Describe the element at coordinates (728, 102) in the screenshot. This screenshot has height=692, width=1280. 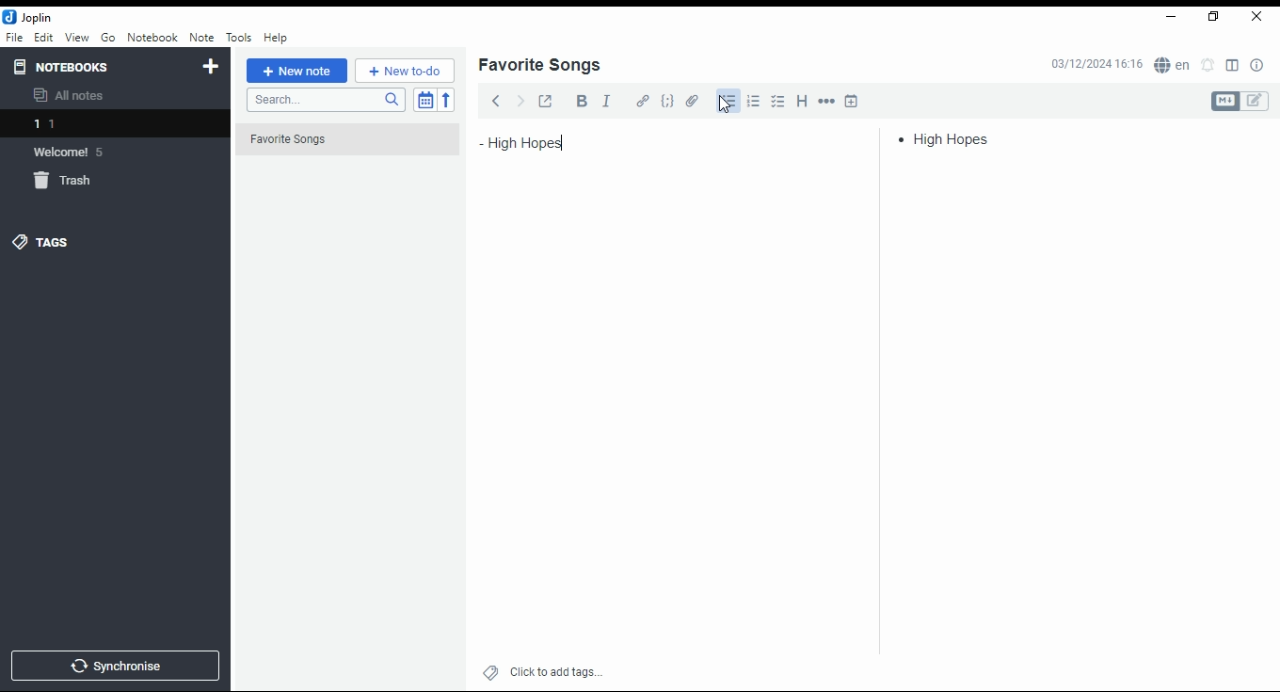
I see `bullets` at that location.